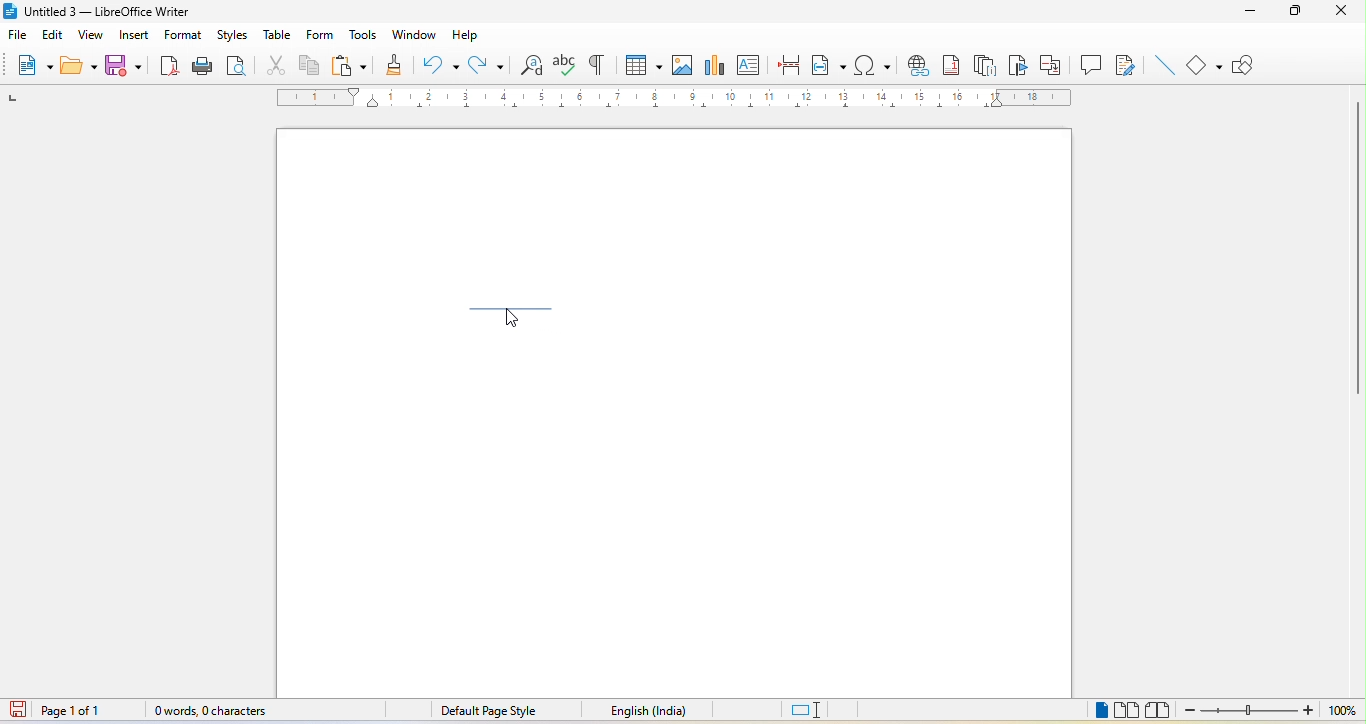  What do you see at coordinates (21, 36) in the screenshot?
I see `file` at bounding box center [21, 36].